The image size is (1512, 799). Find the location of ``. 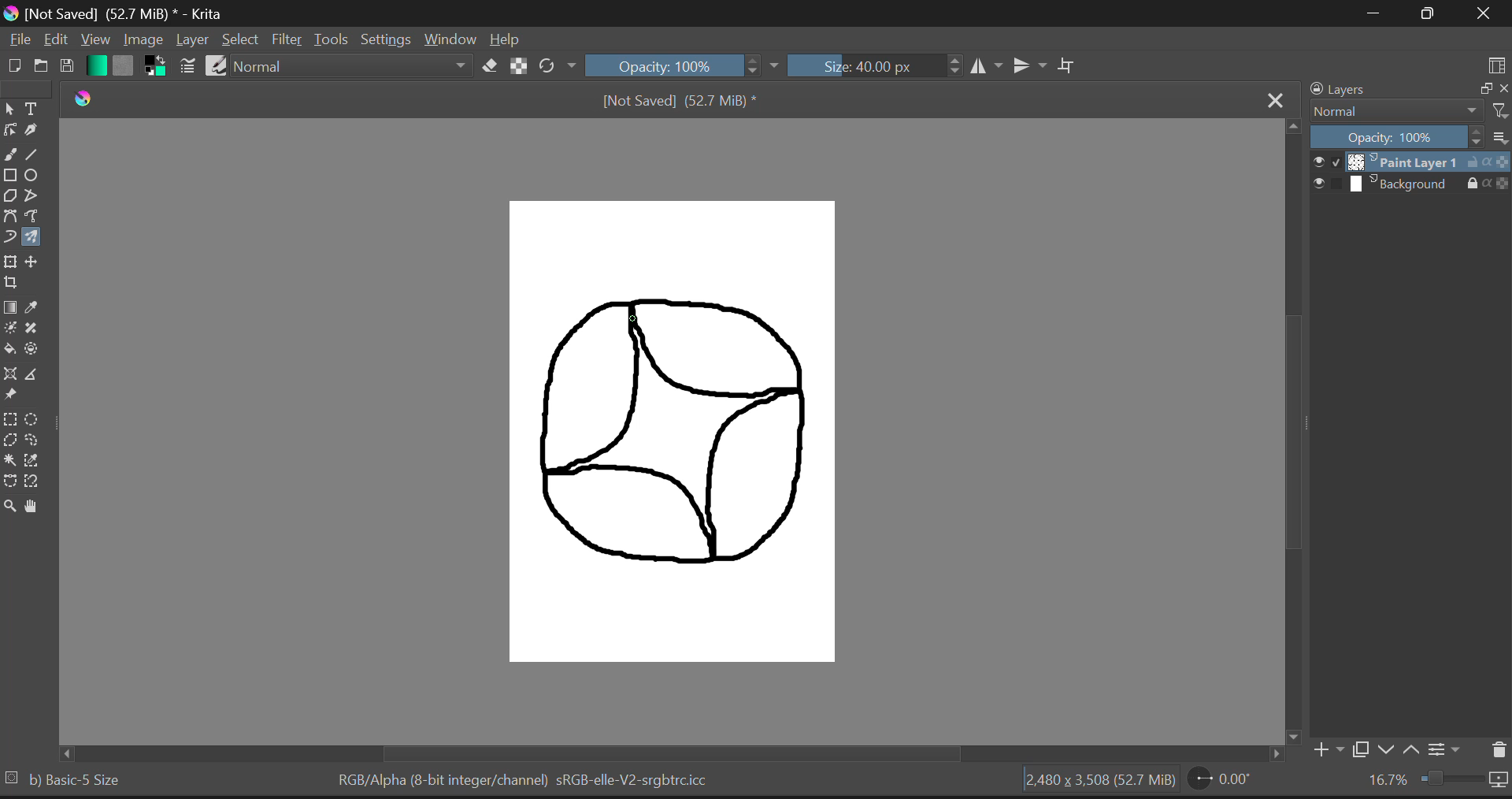

 is located at coordinates (1290, 736).